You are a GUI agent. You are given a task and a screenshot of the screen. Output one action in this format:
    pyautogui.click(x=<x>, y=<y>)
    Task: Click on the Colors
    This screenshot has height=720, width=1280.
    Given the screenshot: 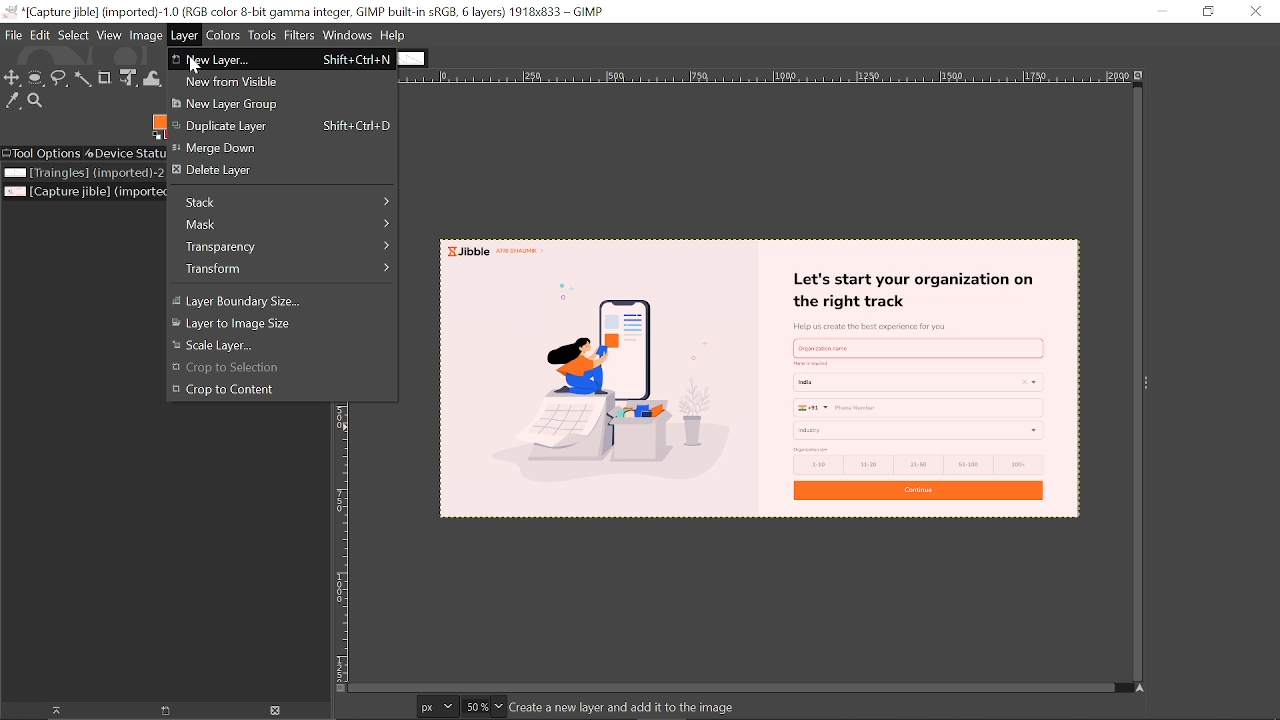 What is the action you would take?
    pyautogui.click(x=224, y=36)
    